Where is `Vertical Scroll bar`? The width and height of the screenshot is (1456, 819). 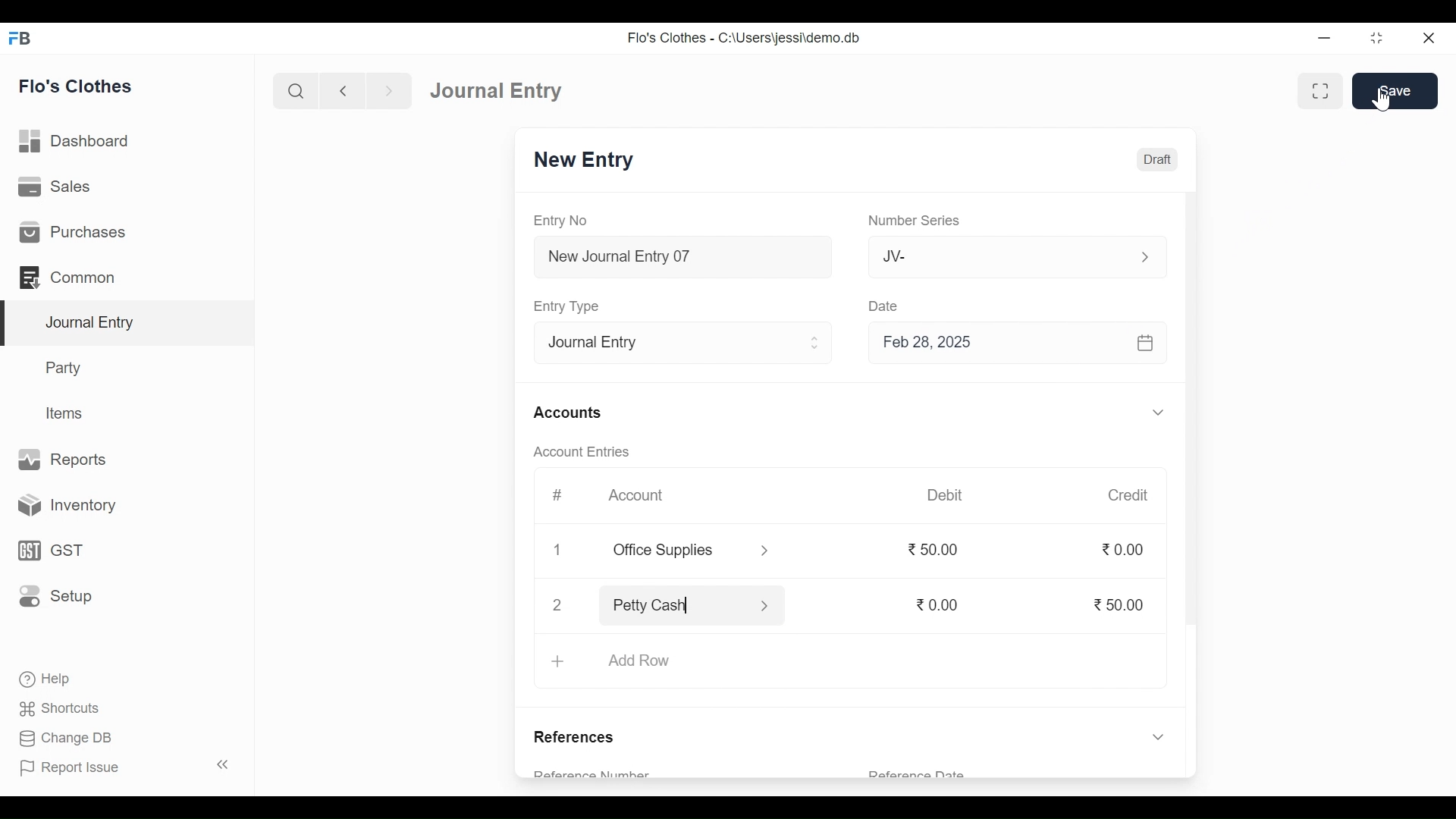
Vertical Scroll bar is located at coordinates (1193, 428).